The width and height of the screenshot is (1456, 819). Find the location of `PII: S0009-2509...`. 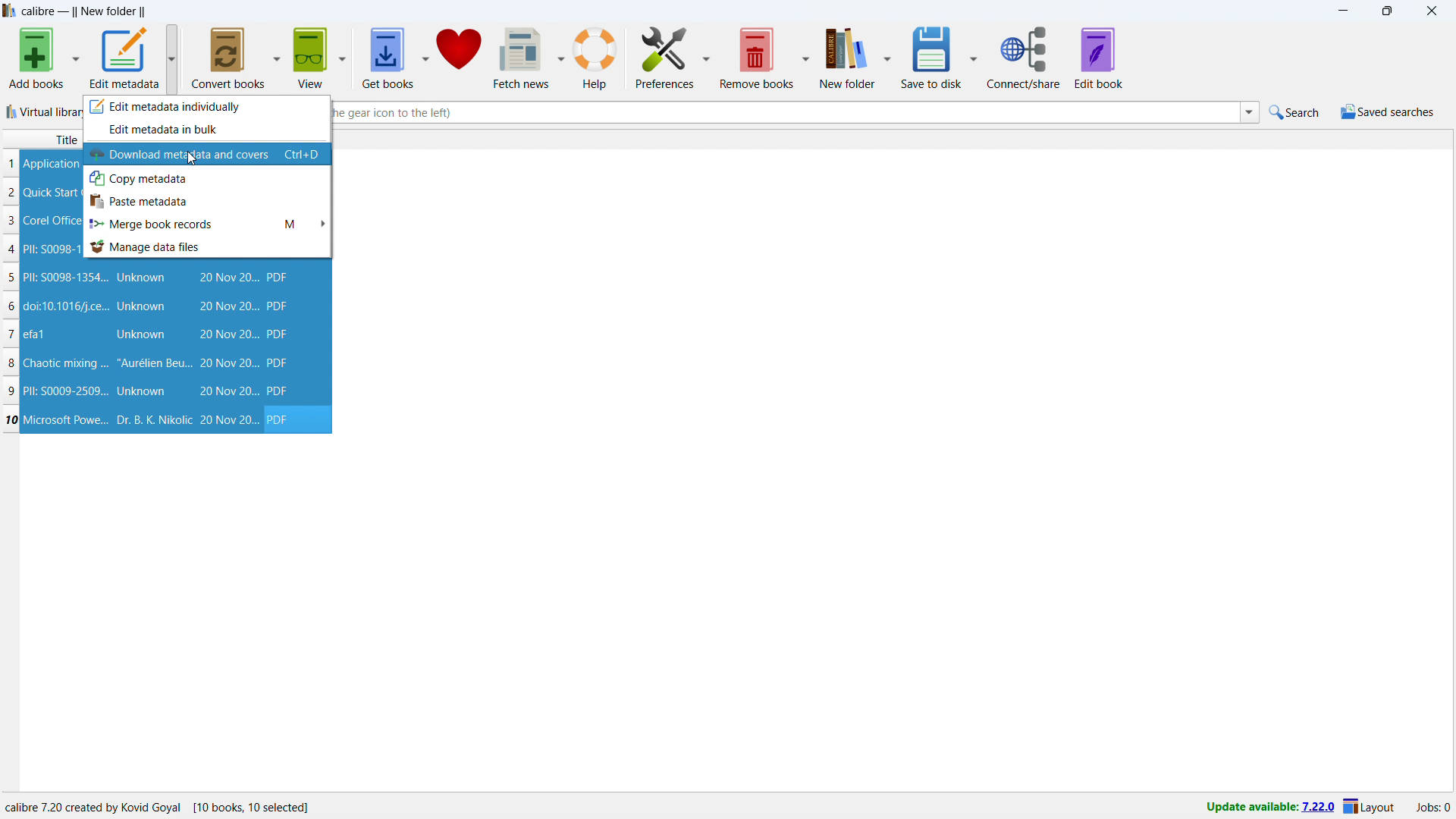

PII: S0009-2509... is located at coordinates (67, 390).